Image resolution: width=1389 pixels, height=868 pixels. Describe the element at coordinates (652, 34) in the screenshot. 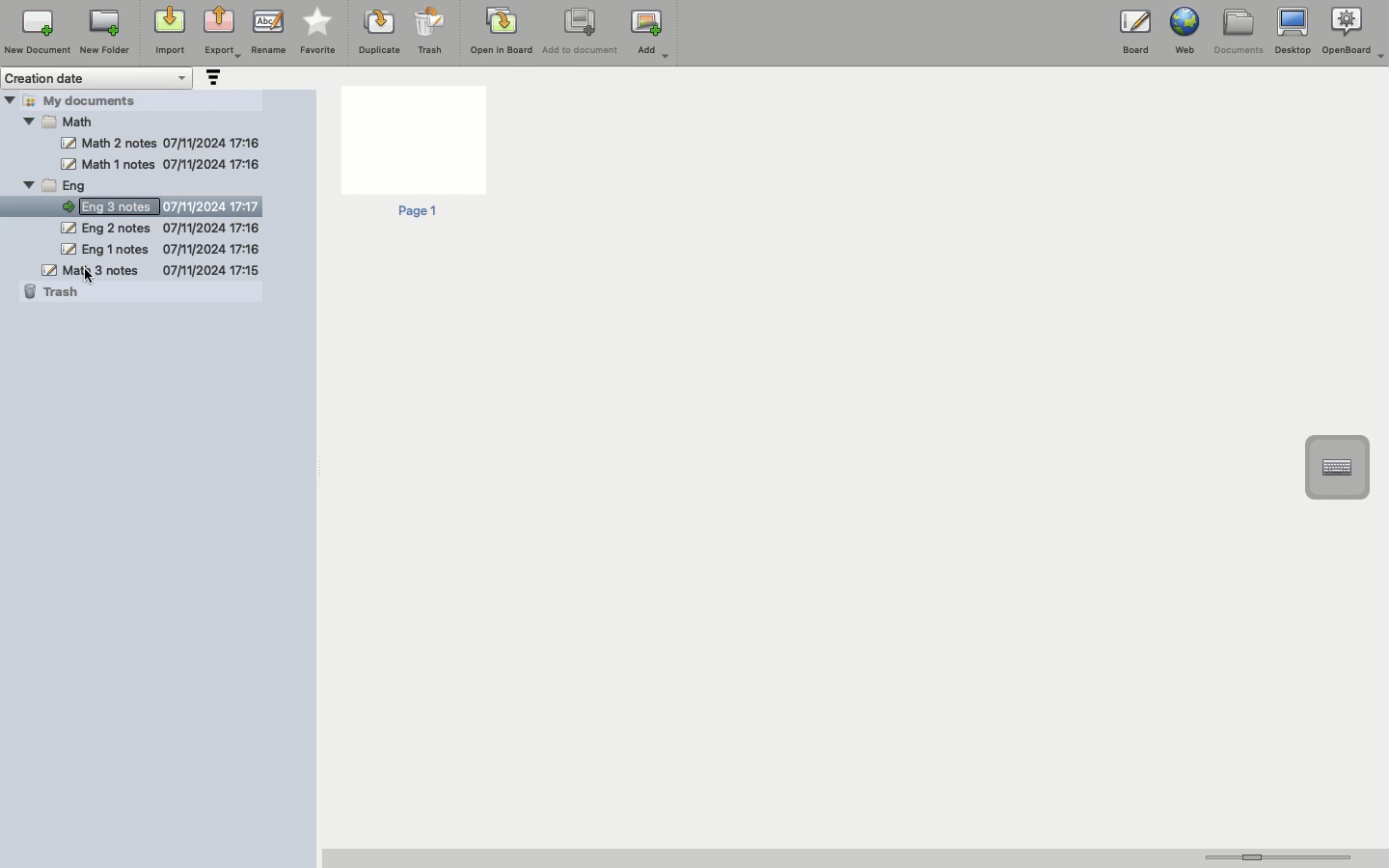

I see `Ad` at that location.